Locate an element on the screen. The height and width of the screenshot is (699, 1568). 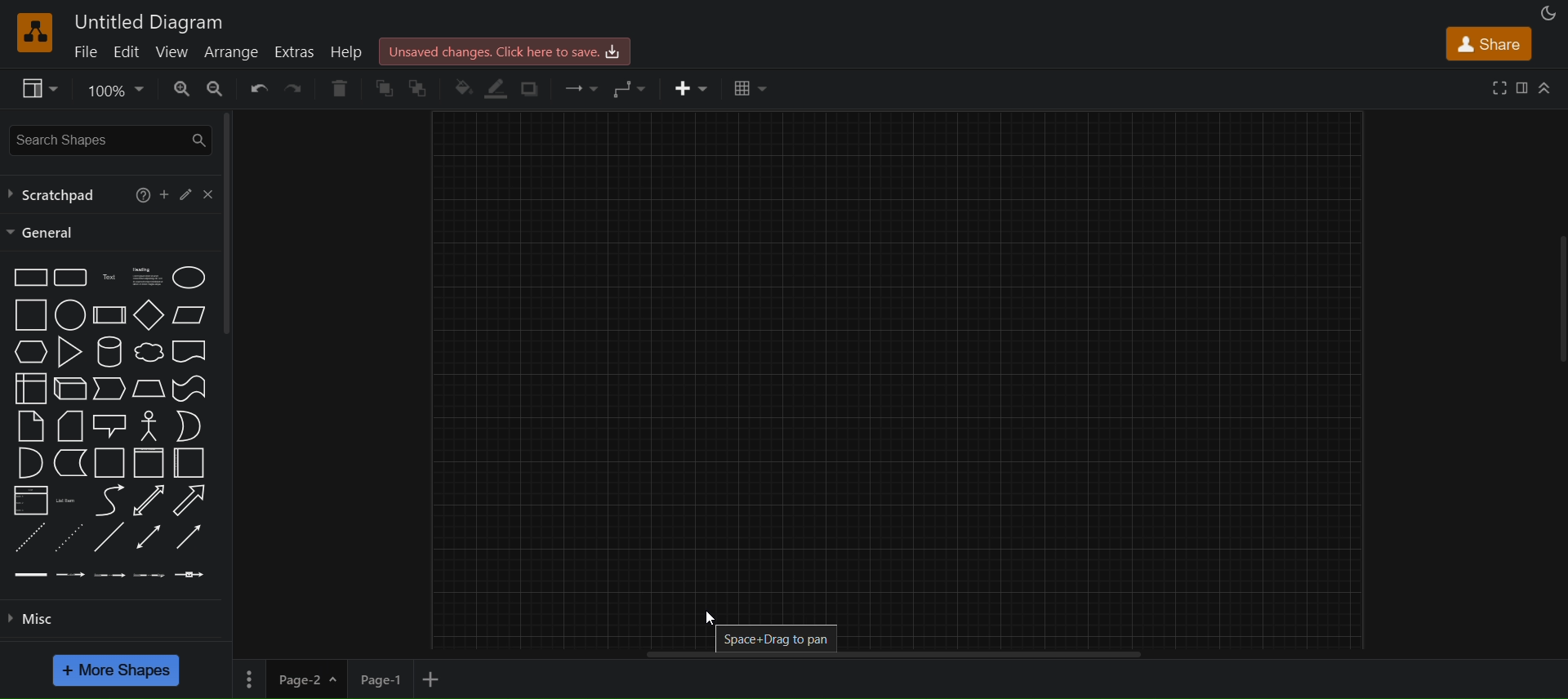
line color is located at coordinates (497, 87).